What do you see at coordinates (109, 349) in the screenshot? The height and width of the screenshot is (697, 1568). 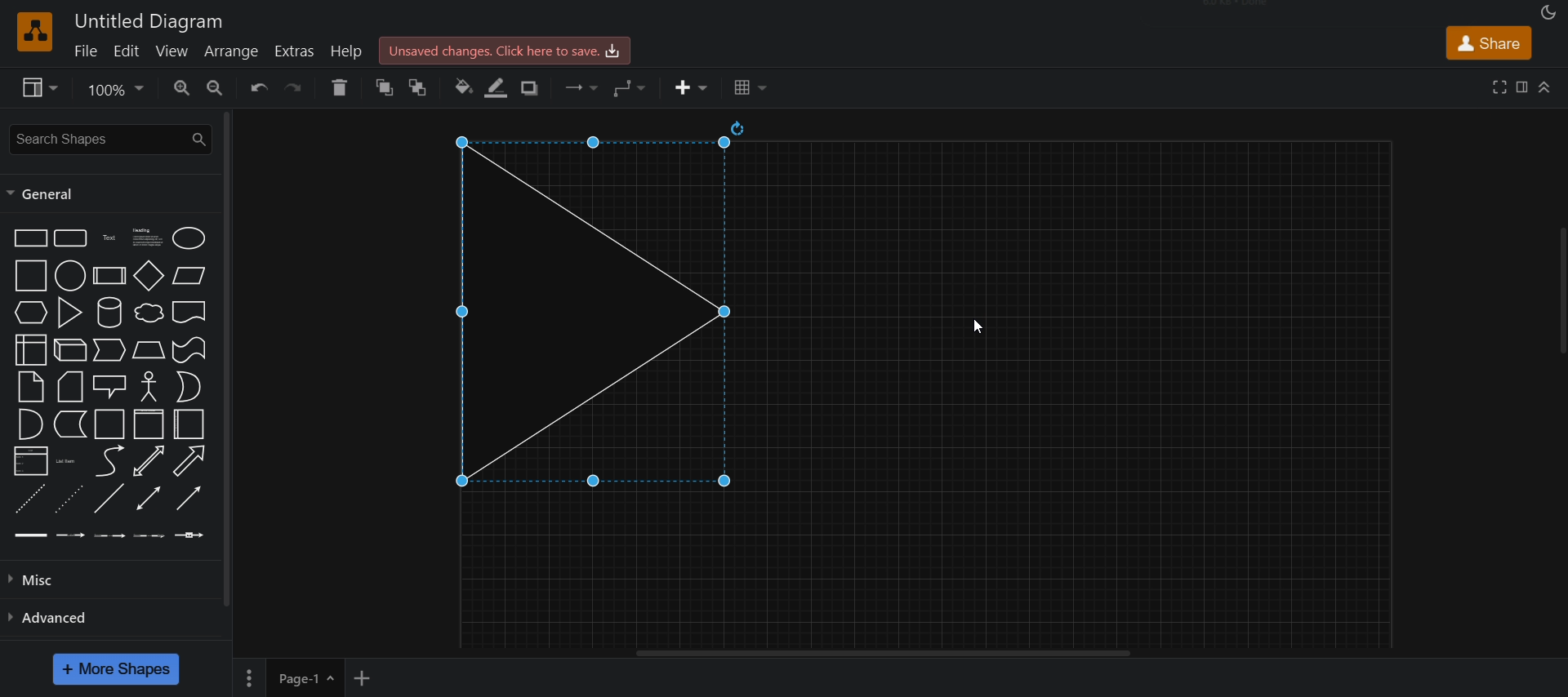 I see `step` at bounding box center [109, 349].